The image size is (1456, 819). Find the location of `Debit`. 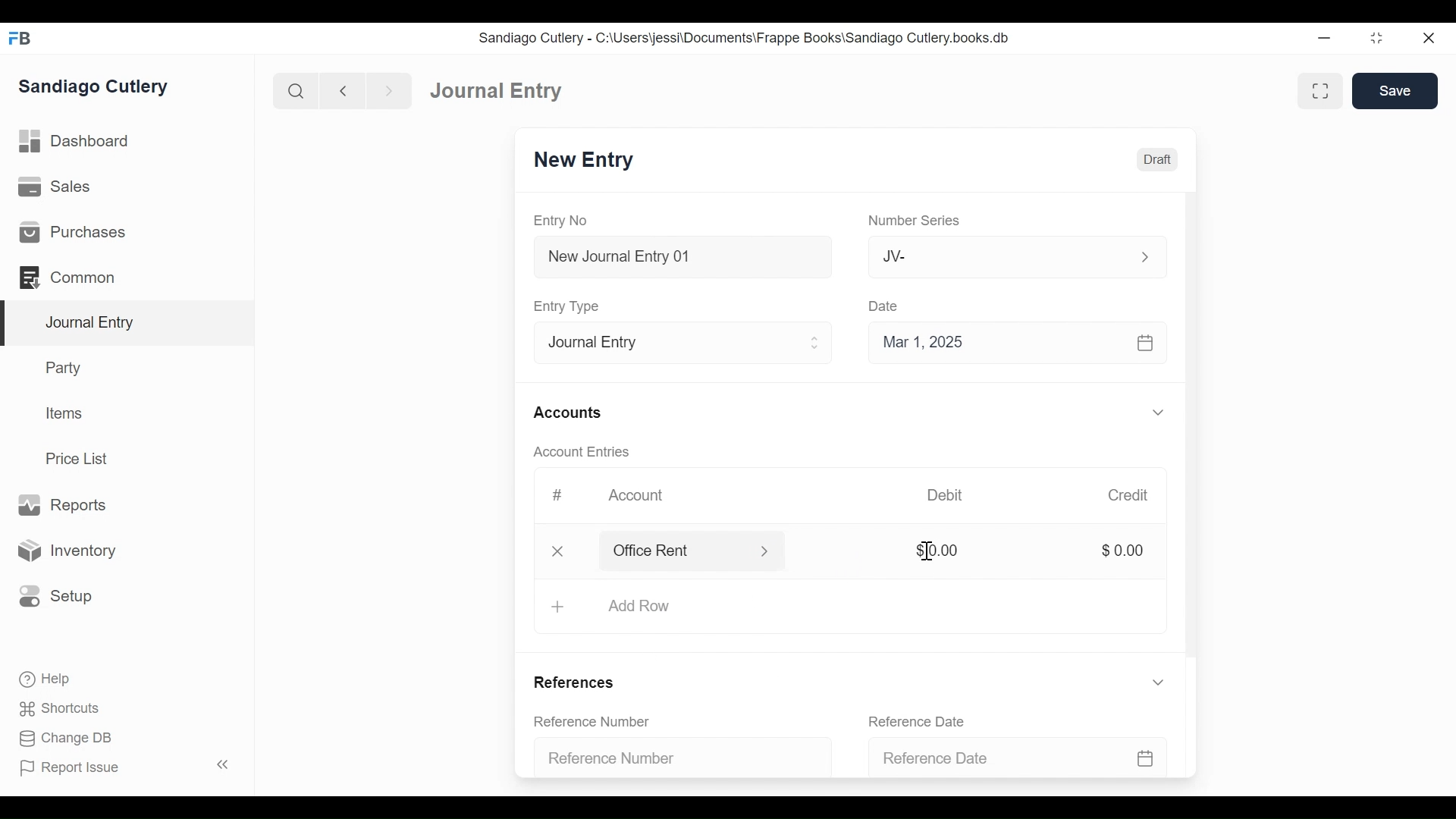

Debit is located at coordinates (948, 495).